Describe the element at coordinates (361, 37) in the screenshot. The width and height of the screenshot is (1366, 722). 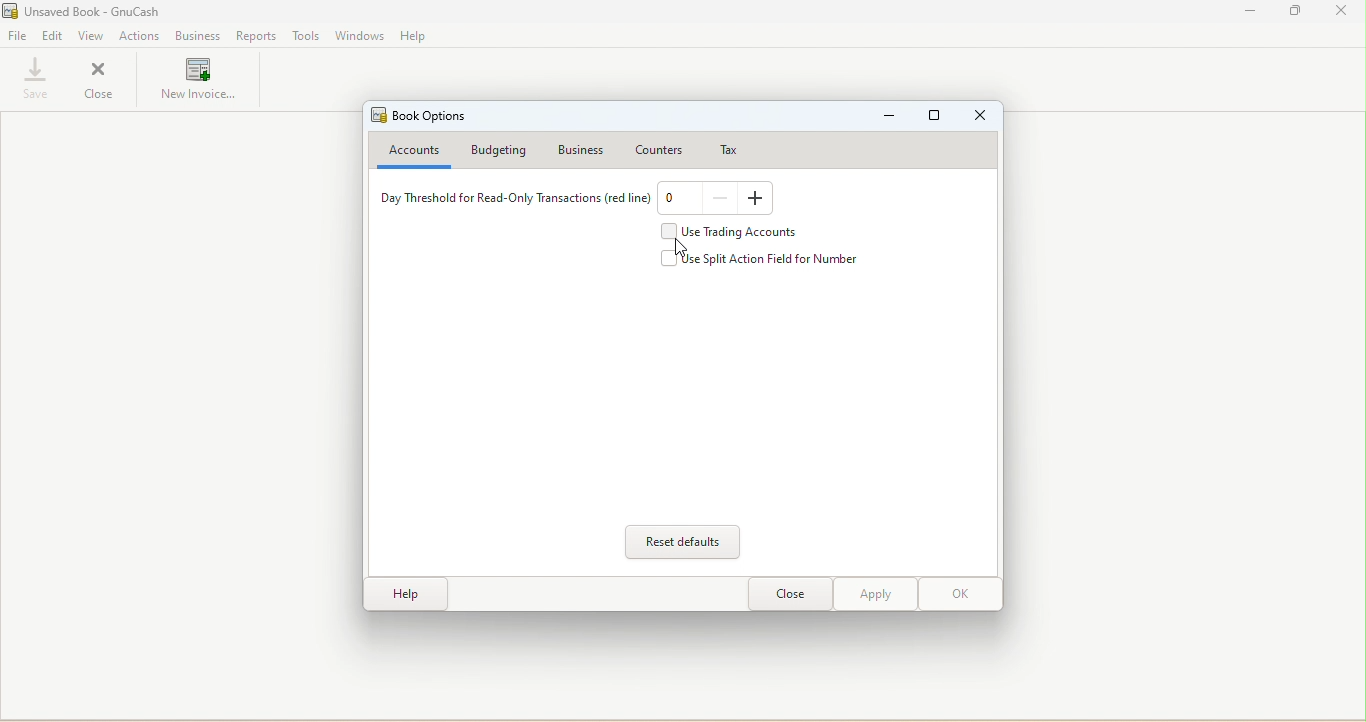
I see `Windows` at that location.